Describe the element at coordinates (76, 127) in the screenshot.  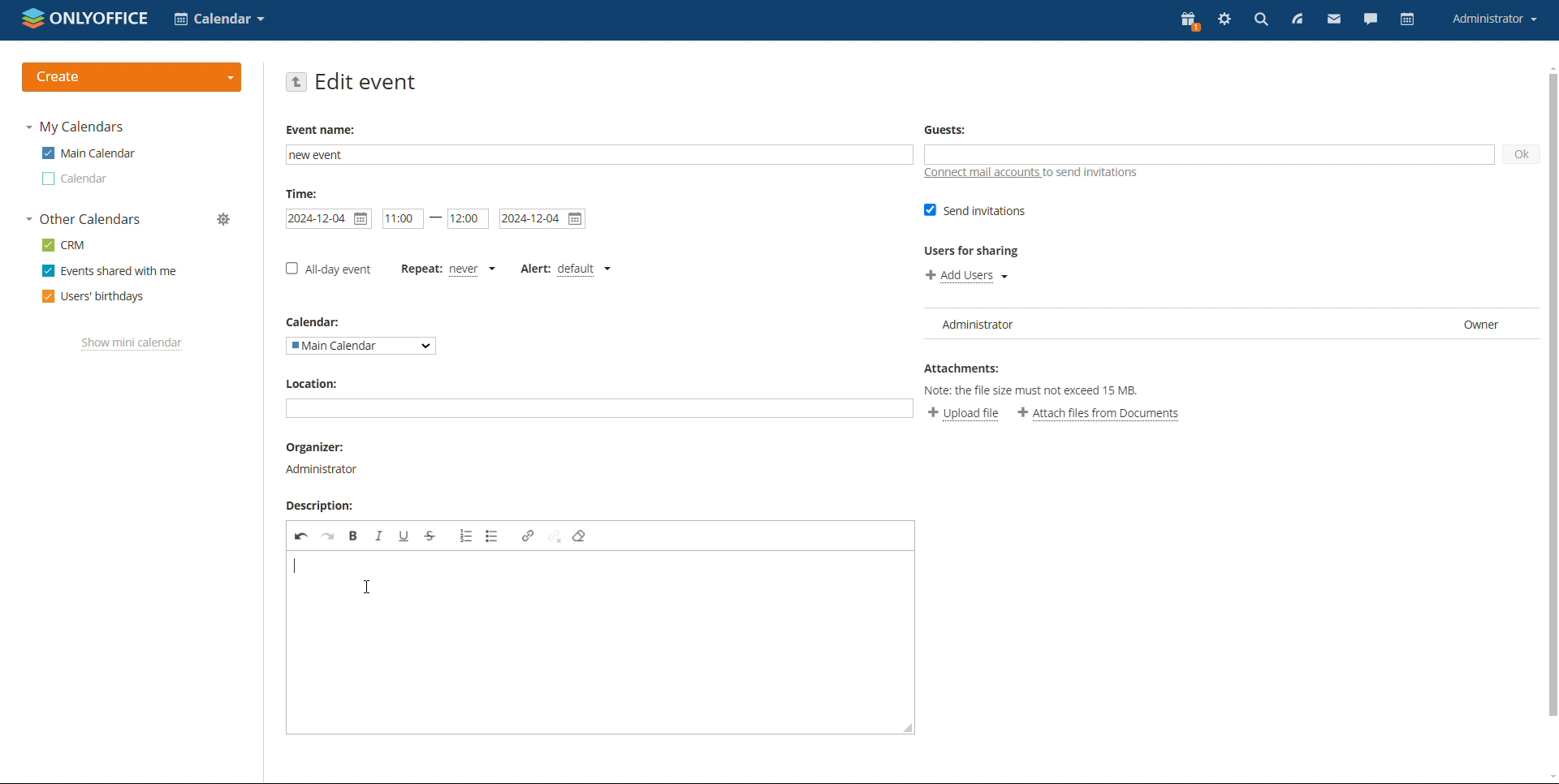
I see `my calendars` at that location.